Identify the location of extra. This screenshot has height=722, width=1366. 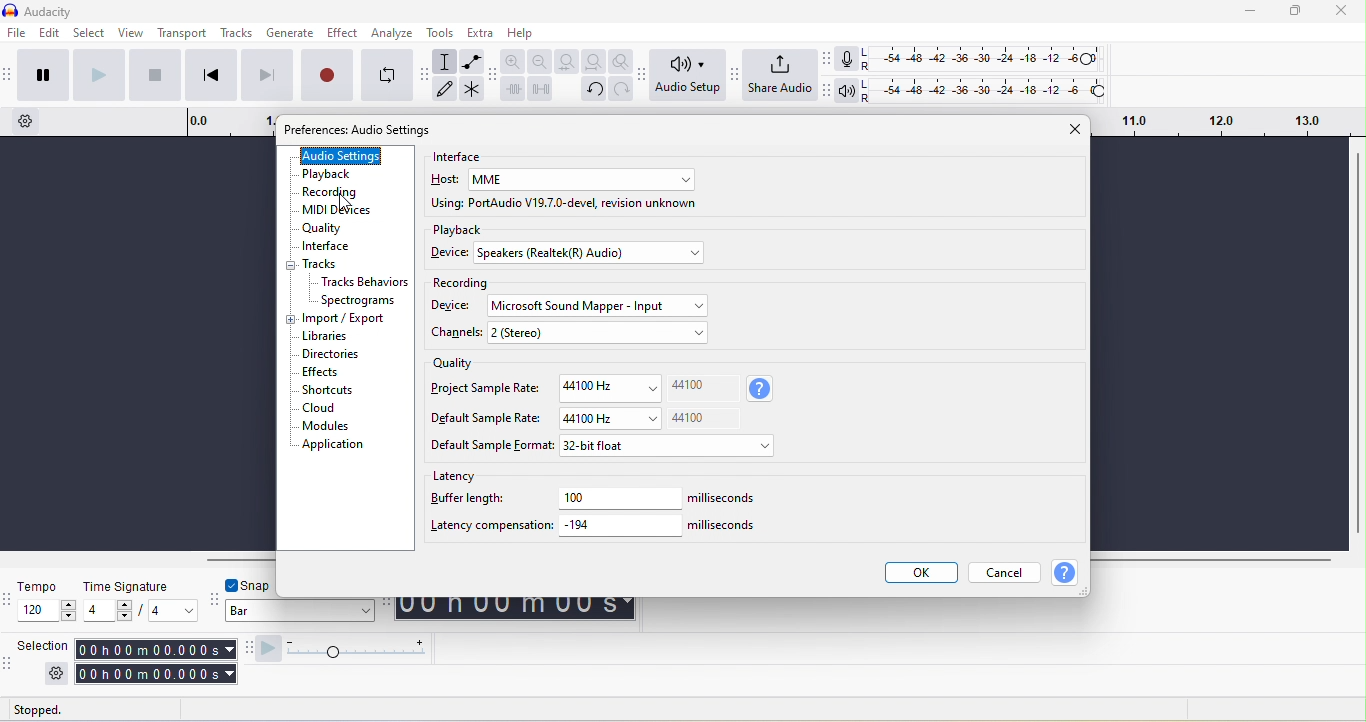
(479, 32).